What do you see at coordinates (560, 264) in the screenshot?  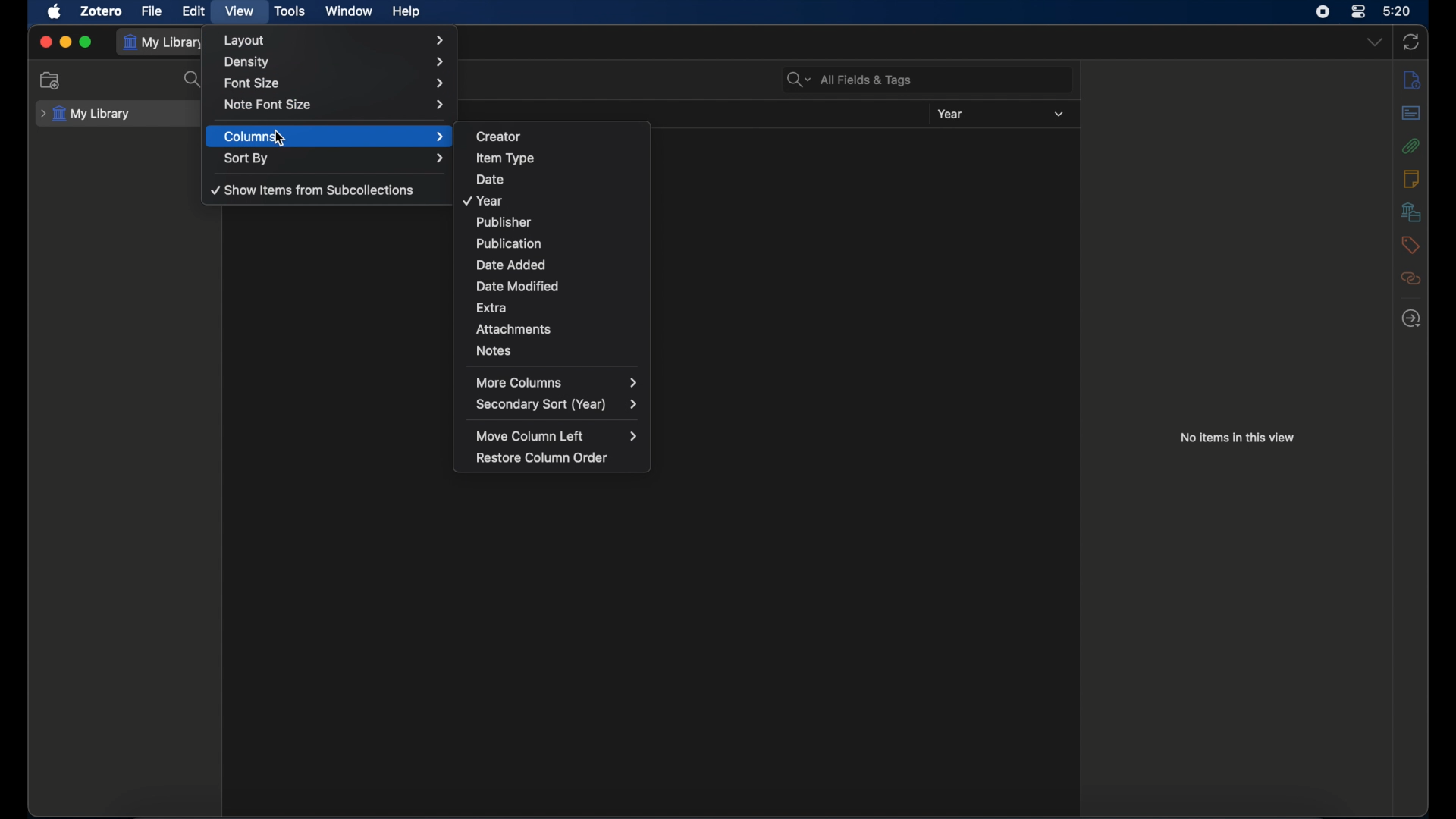 I see `date added` at bounding box center [560, 264].